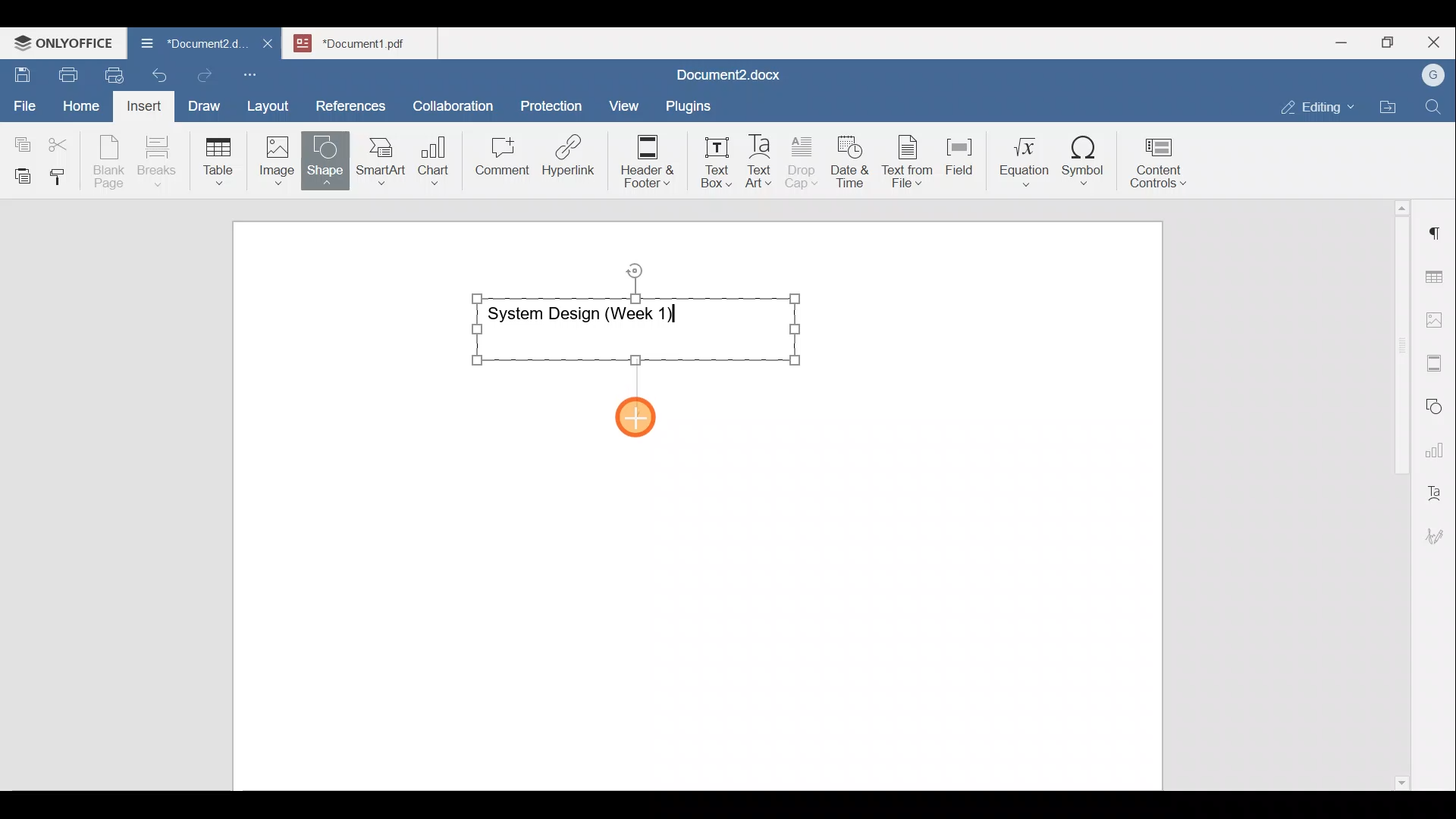 Image resolution: width=1456 pixels, height=819 pixels. I want to click on File, so click(26, 101).